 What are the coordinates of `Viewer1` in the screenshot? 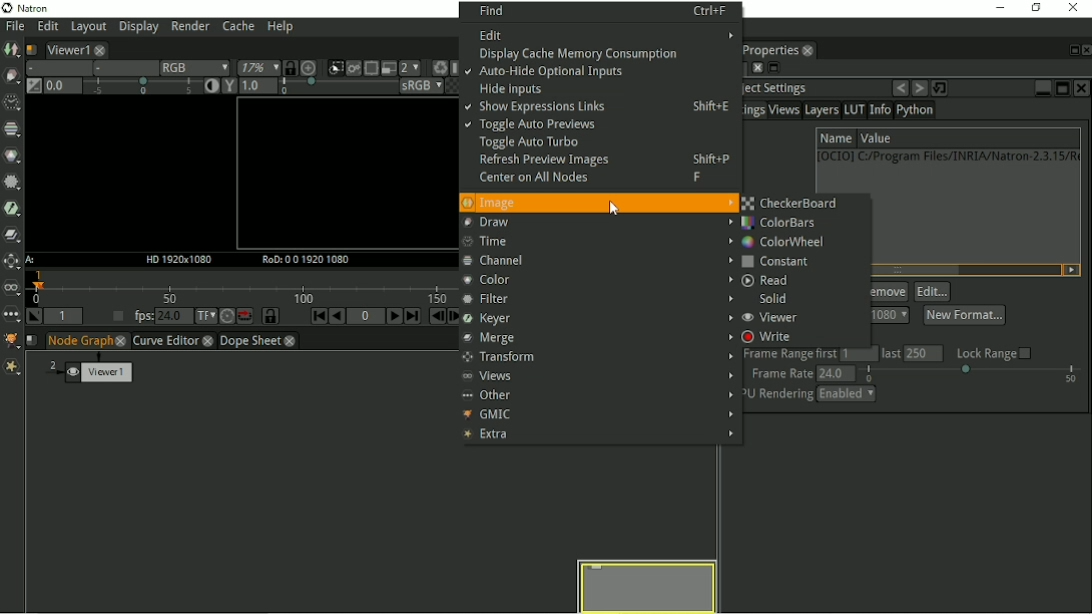 It's located at (94, 369).